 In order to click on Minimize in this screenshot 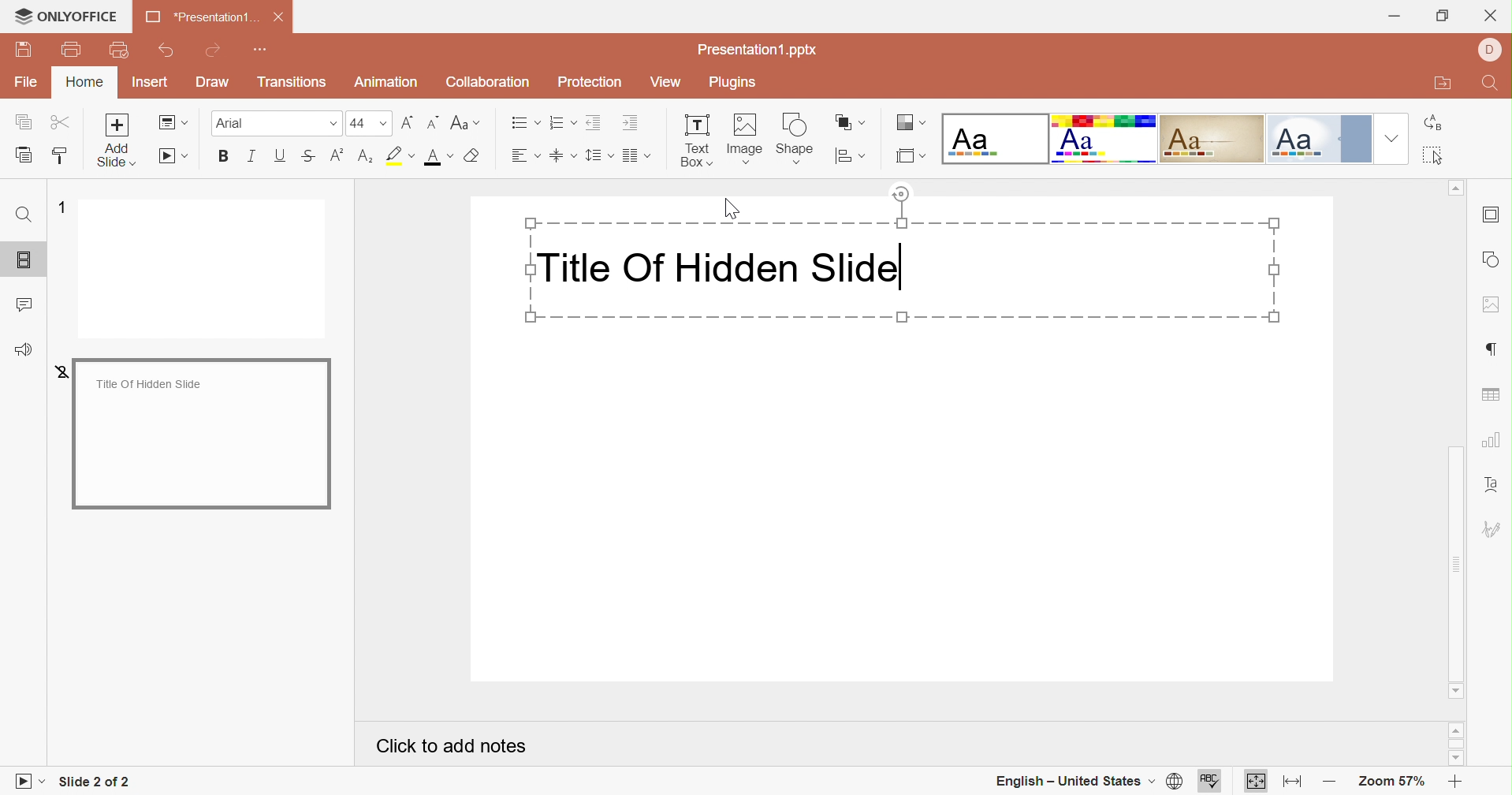, I will do `click(1396, 17)`.